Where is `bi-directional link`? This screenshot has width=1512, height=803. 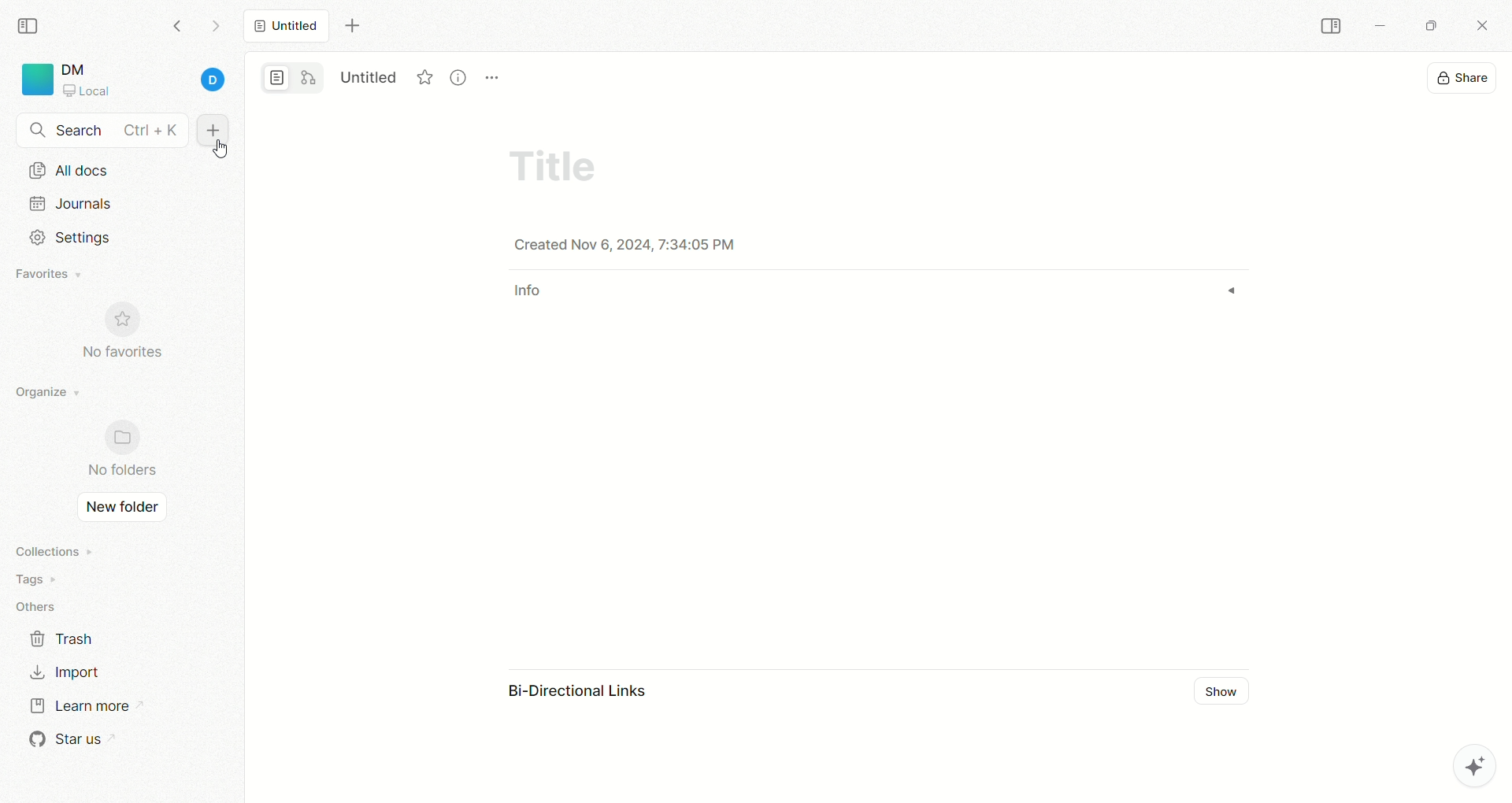 bi-directional link is located at coordinates (591, 694).